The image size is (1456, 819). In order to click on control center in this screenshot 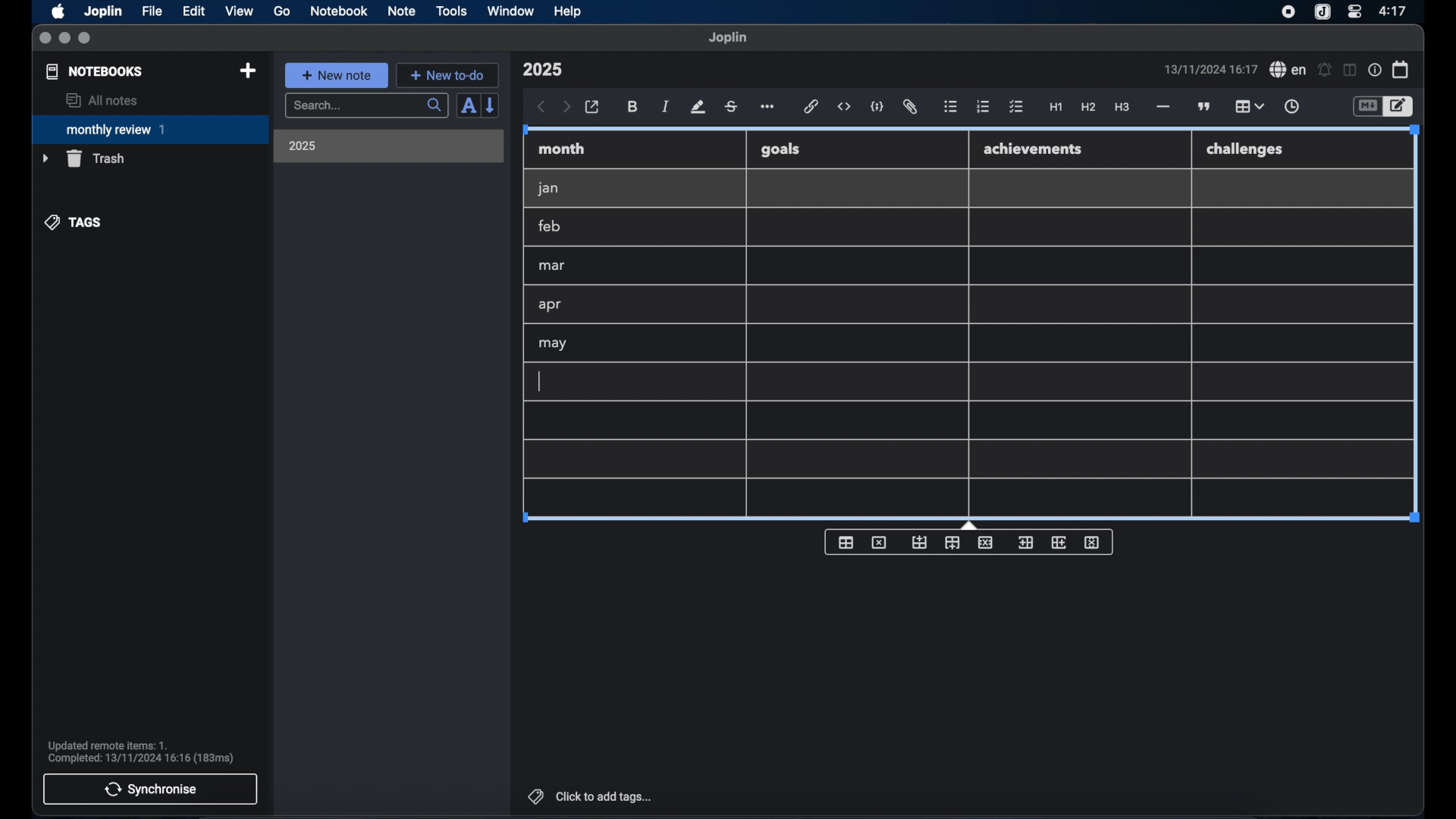, I will do `click(1354, 11)`.